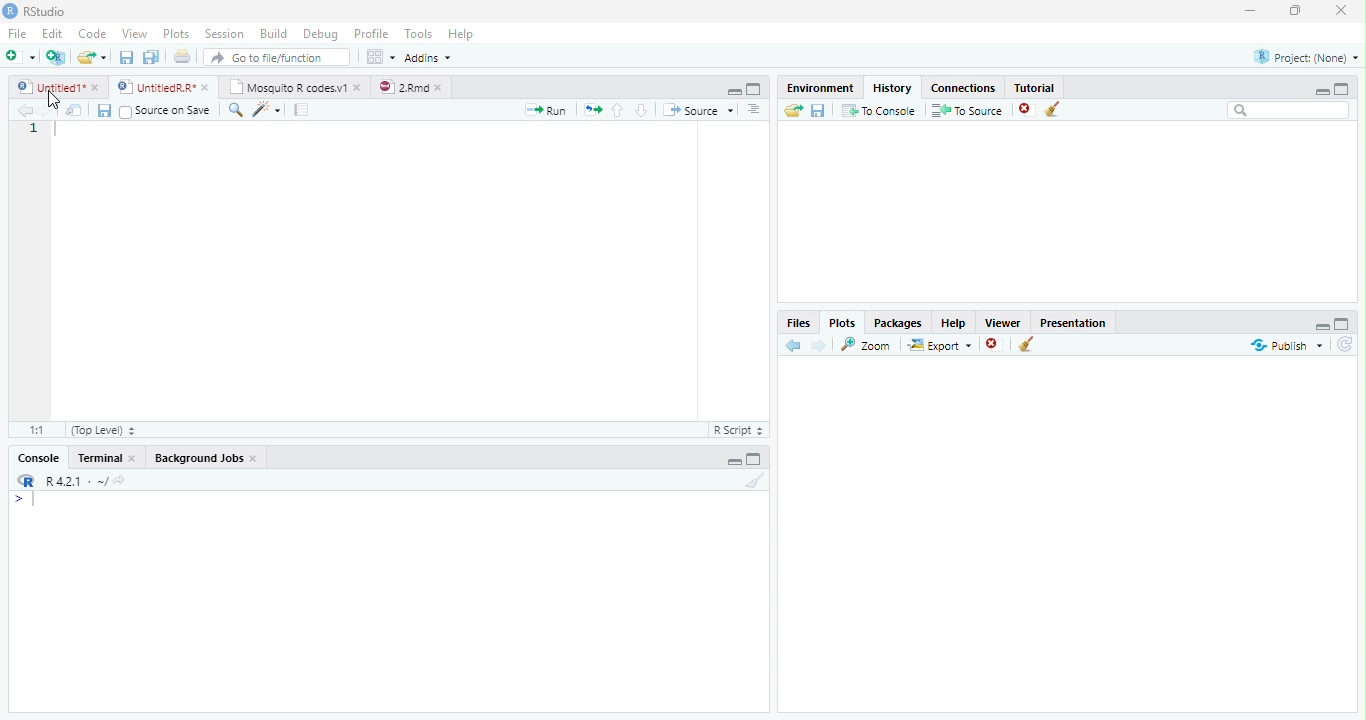 The width and height of the screenshot is (1366, 720). I want to click on Zoom, so click(868, 345).